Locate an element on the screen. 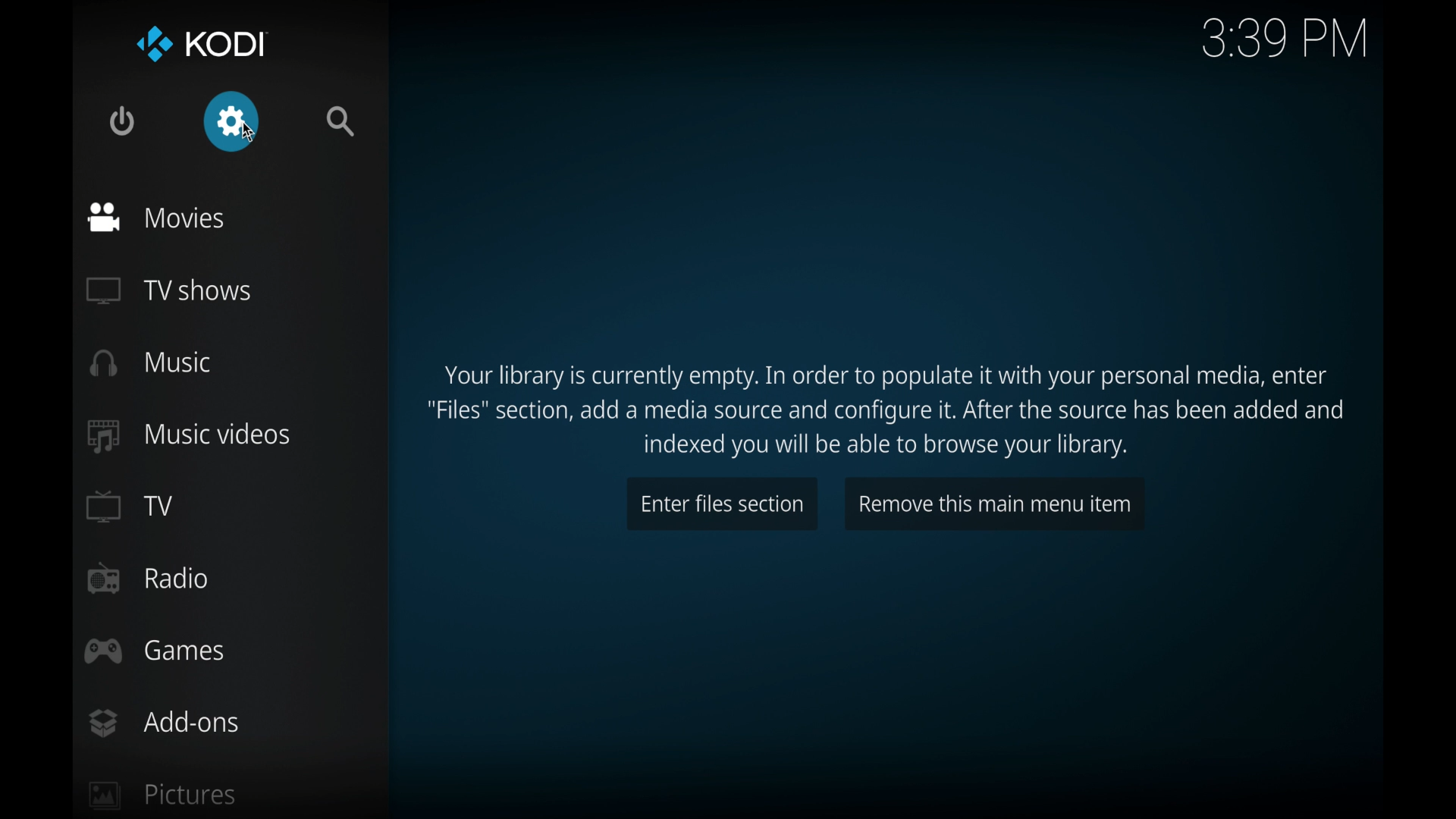  cursor is located at coordinates (249, 132).